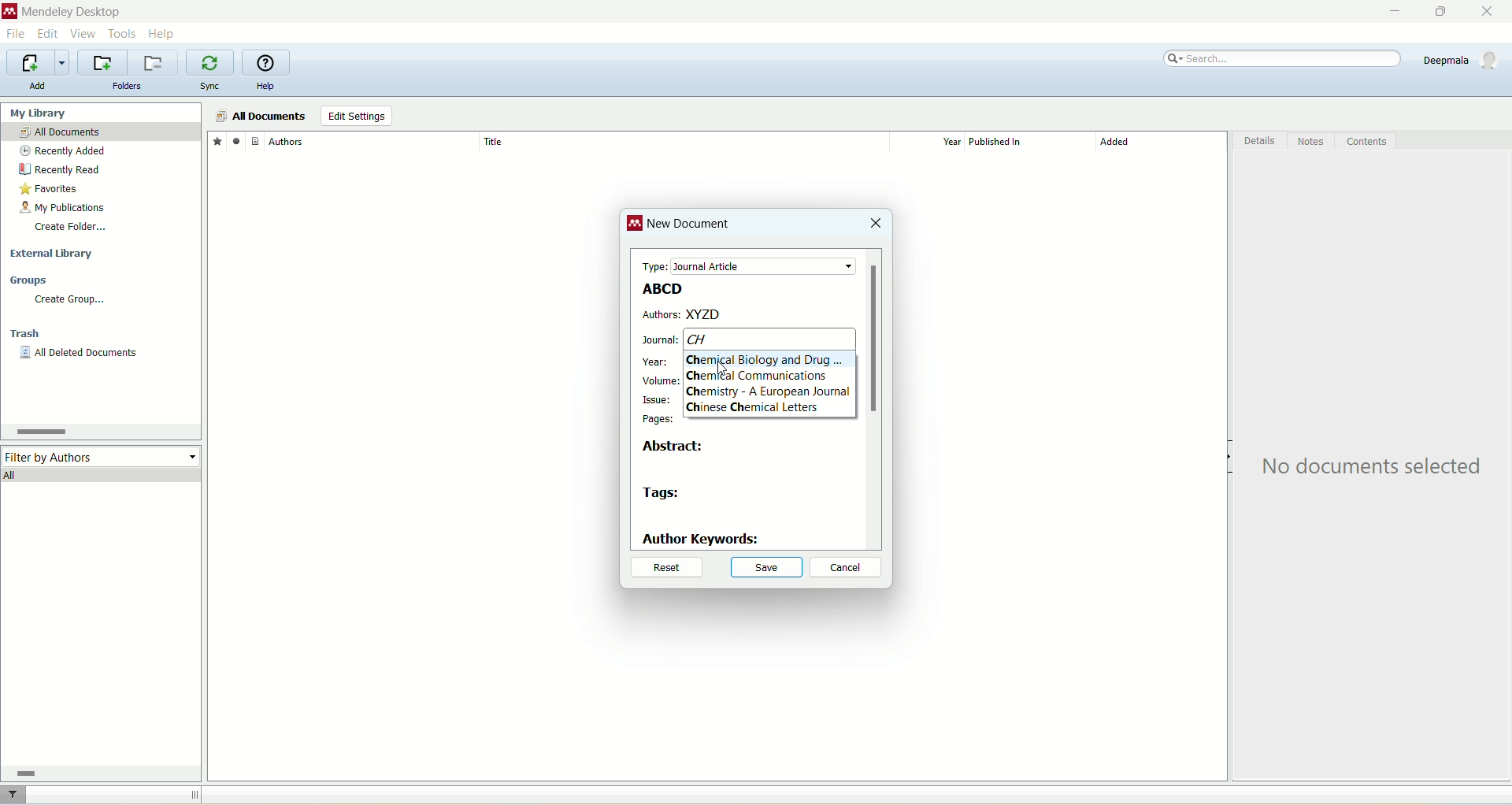 The height and width of the screenshot is (805, 1512). I want to click on horizontal scroll bar, so click(98, 773).